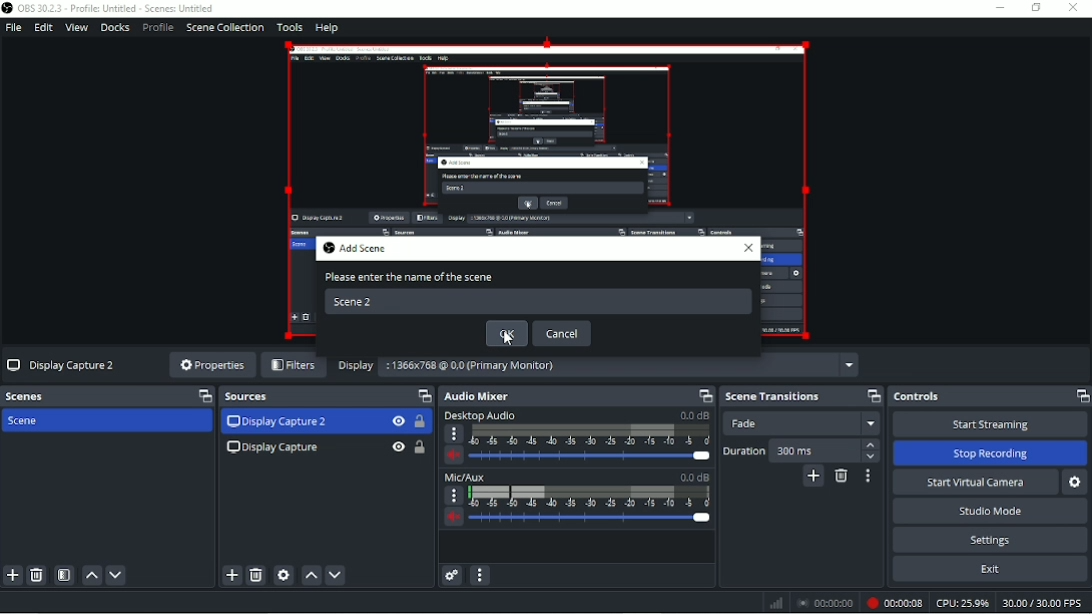 The image size is (1092, 614). What do you see at coordinates (115, 575) in the screenshot?
I see `Move scene down` at bounding box center [115, 575].